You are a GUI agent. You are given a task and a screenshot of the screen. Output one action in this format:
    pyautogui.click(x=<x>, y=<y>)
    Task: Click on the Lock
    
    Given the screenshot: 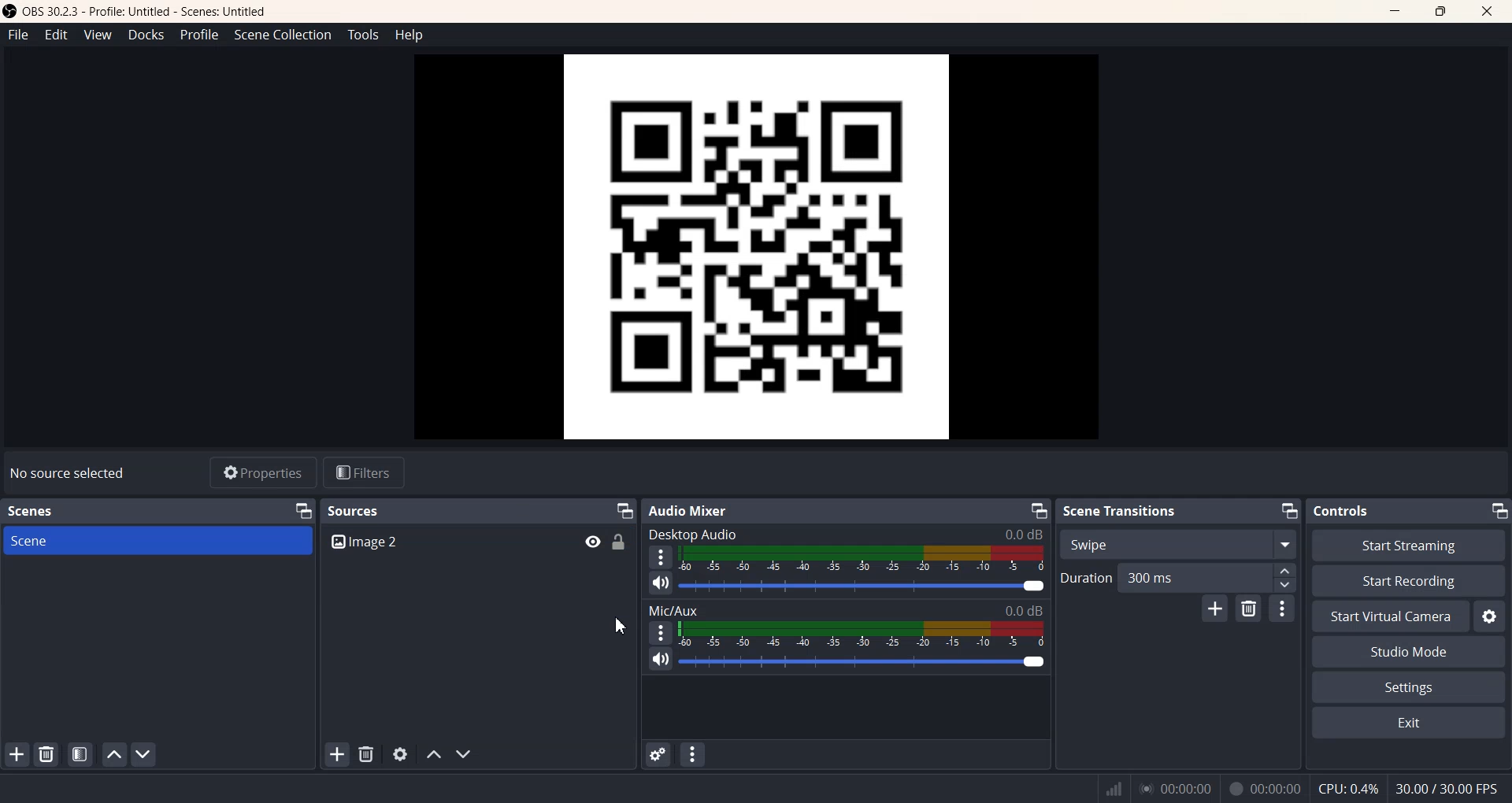 What is the action you would take?
    pyautogui.click(x=619, y=541)
    